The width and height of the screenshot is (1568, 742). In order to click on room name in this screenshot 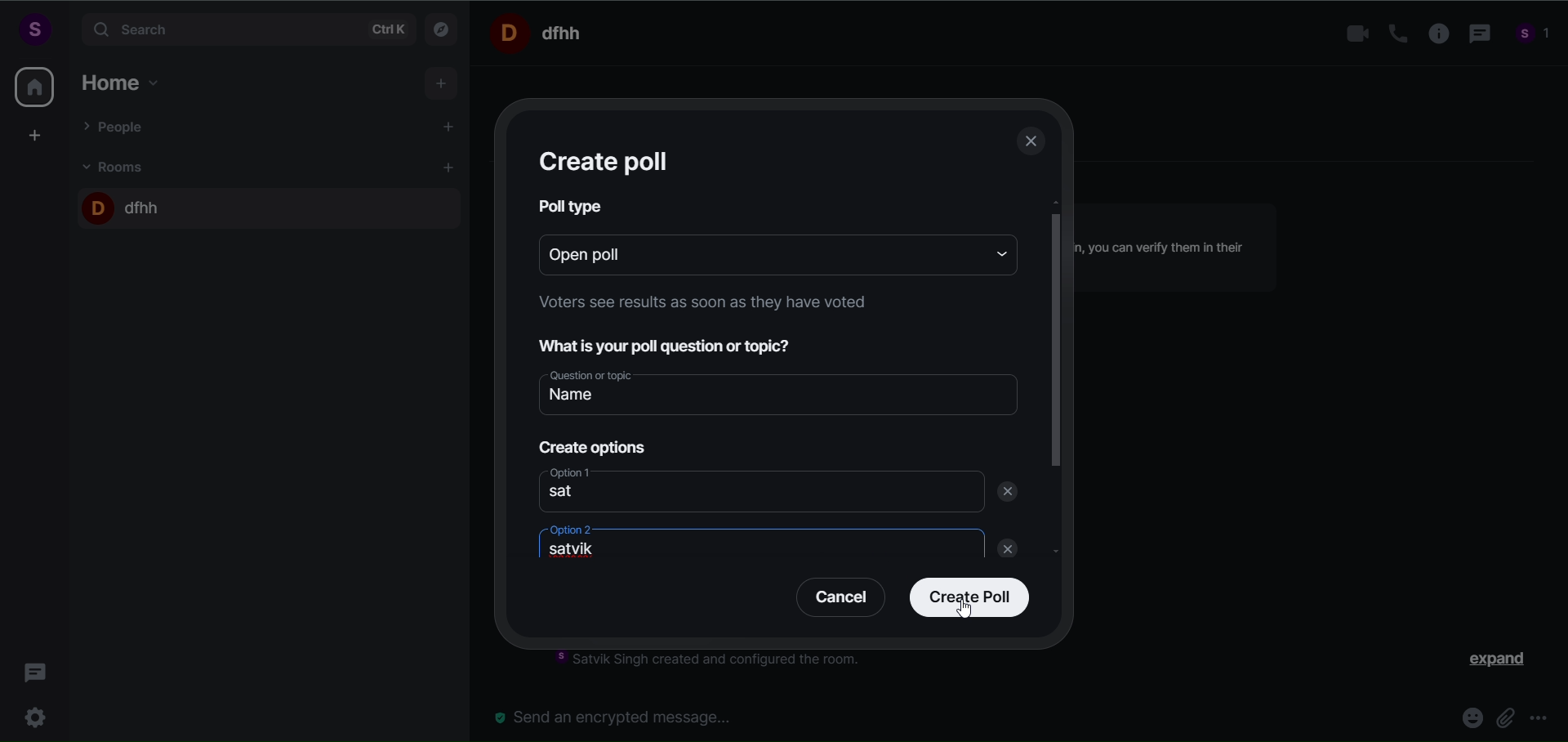, I will do `click(542, 32)`.